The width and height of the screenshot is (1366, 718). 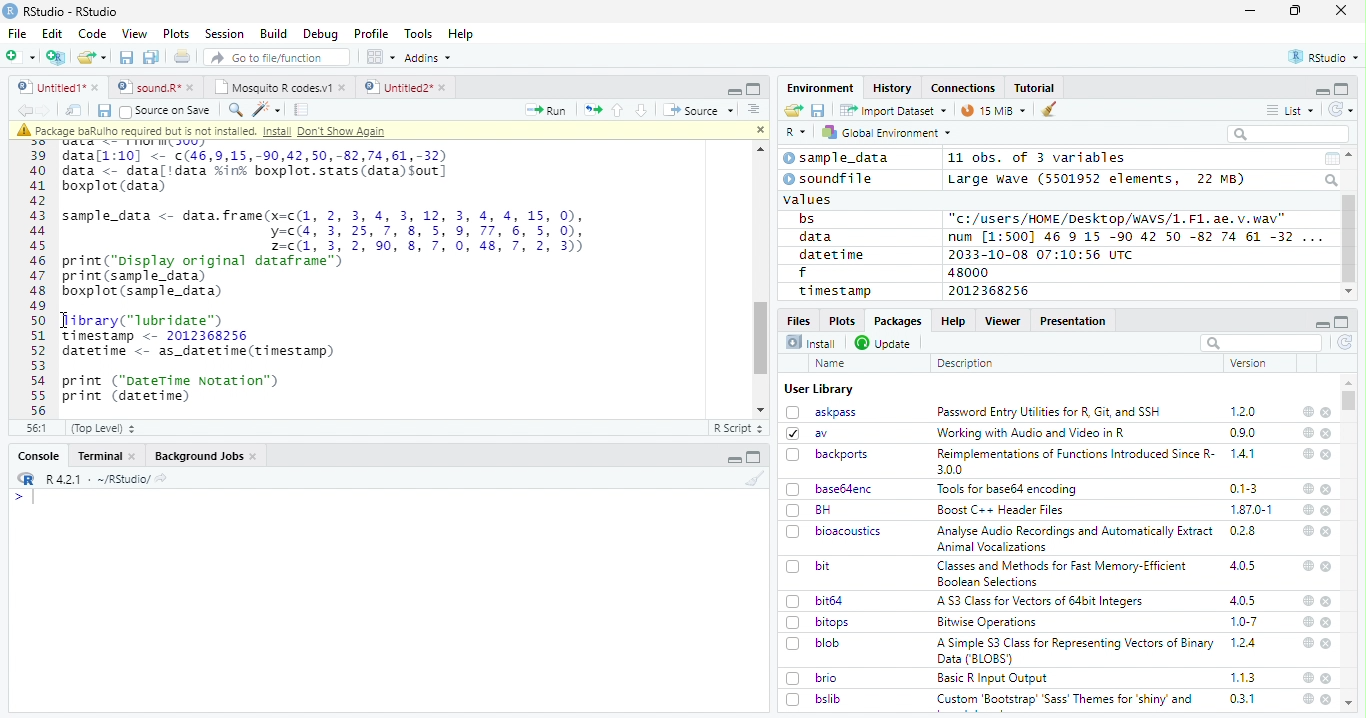 What do you see at coordinates (76, 110) in the screenshot?
I see `Show in new window` at bounding box center [76, 110].